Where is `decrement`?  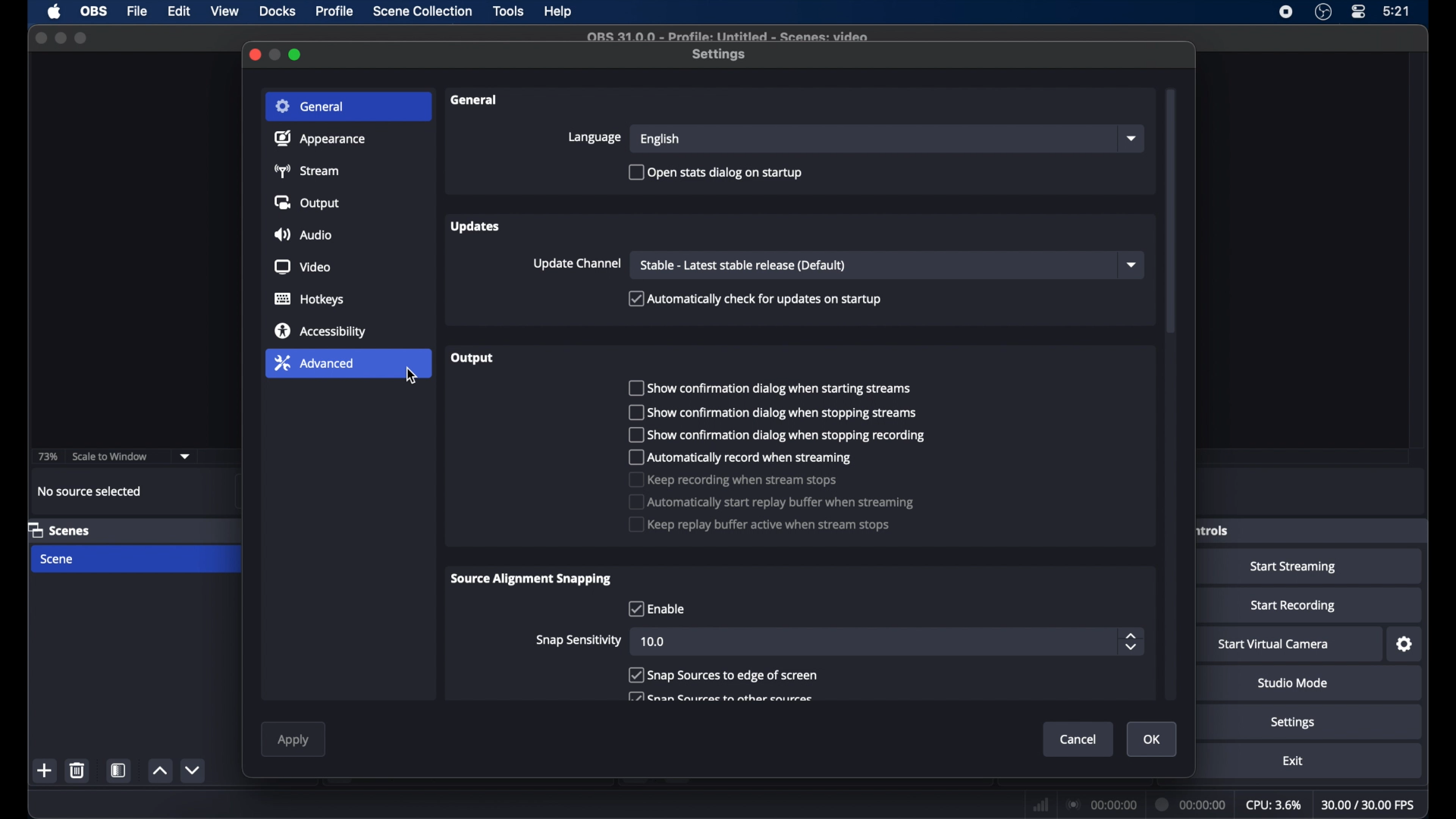 decrement is located at coordinates (195, 770).